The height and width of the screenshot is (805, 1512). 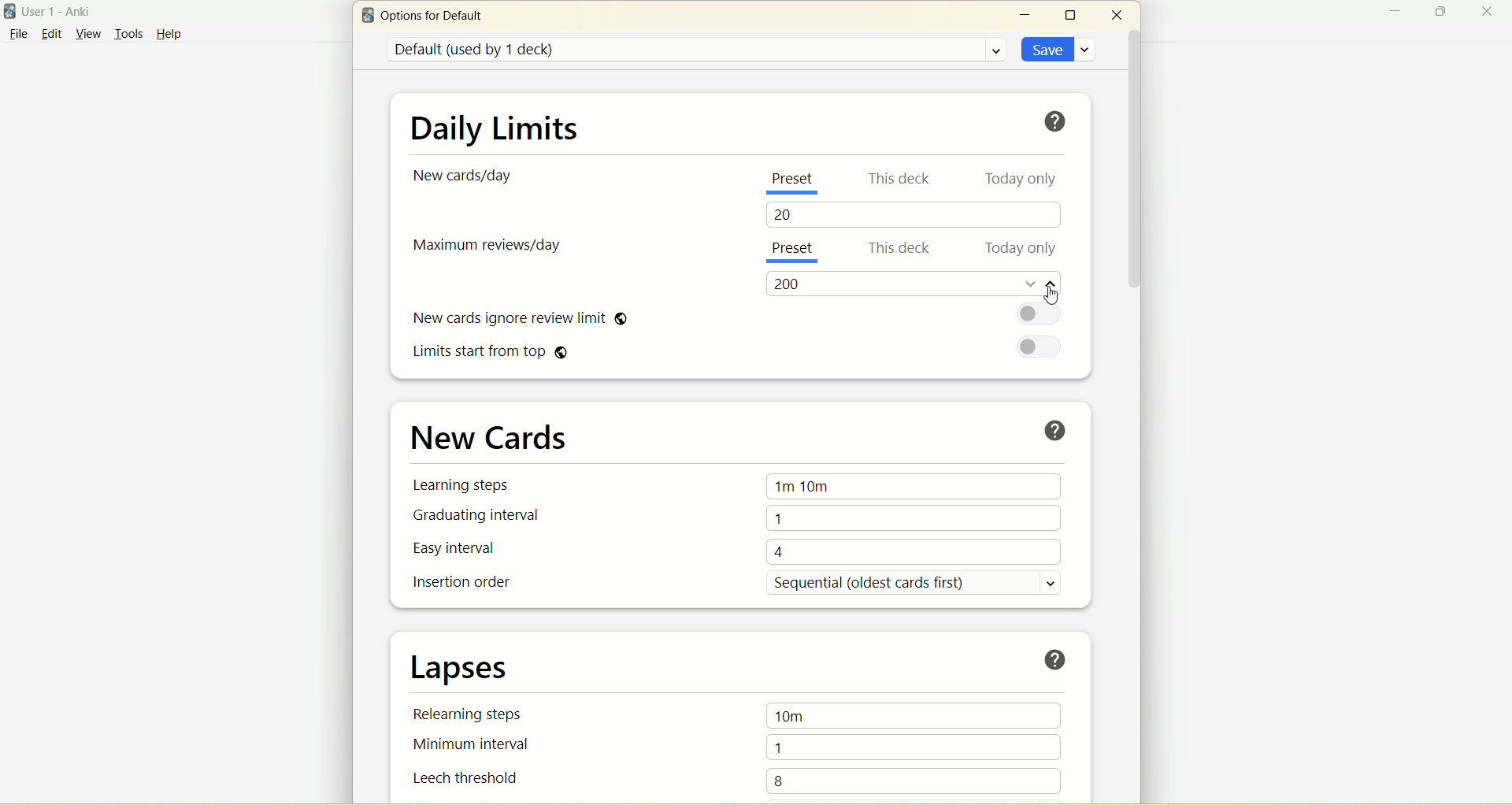 I want to click on file, so click(x=20, y=34).